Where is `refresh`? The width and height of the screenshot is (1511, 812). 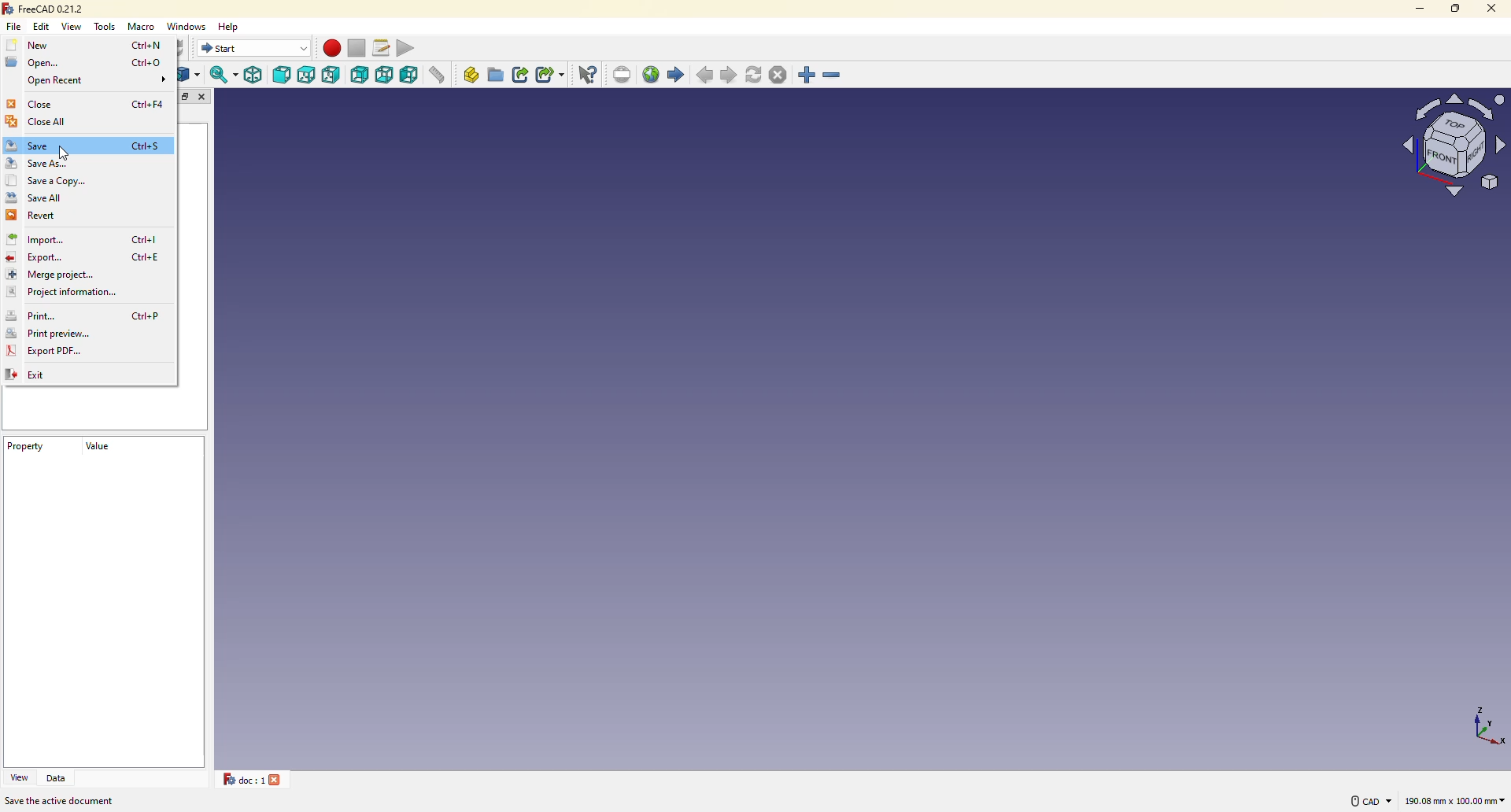 refresh is located at coordinates (755, 74).